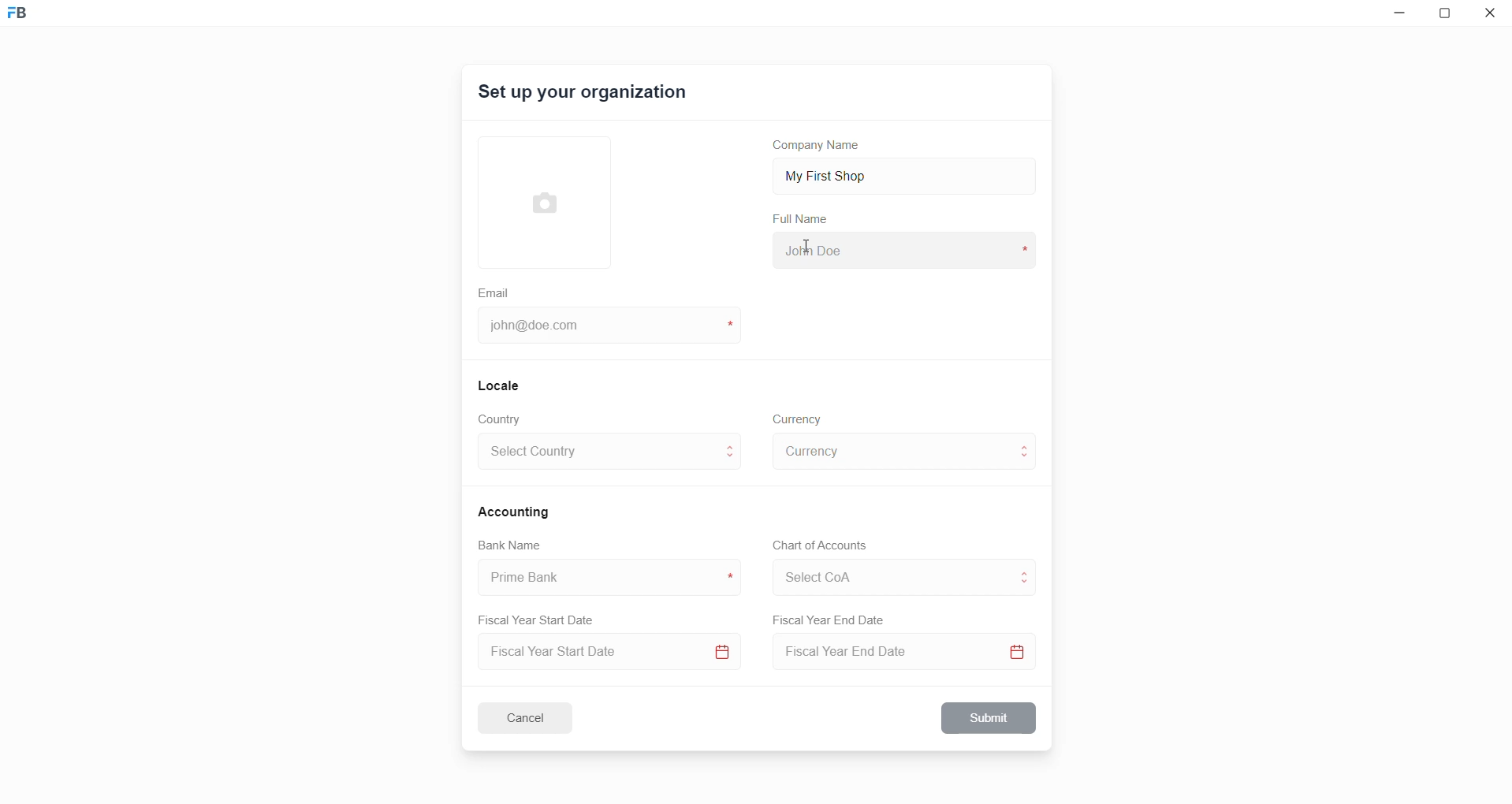  I want to click on select currency, so click(891, 450).